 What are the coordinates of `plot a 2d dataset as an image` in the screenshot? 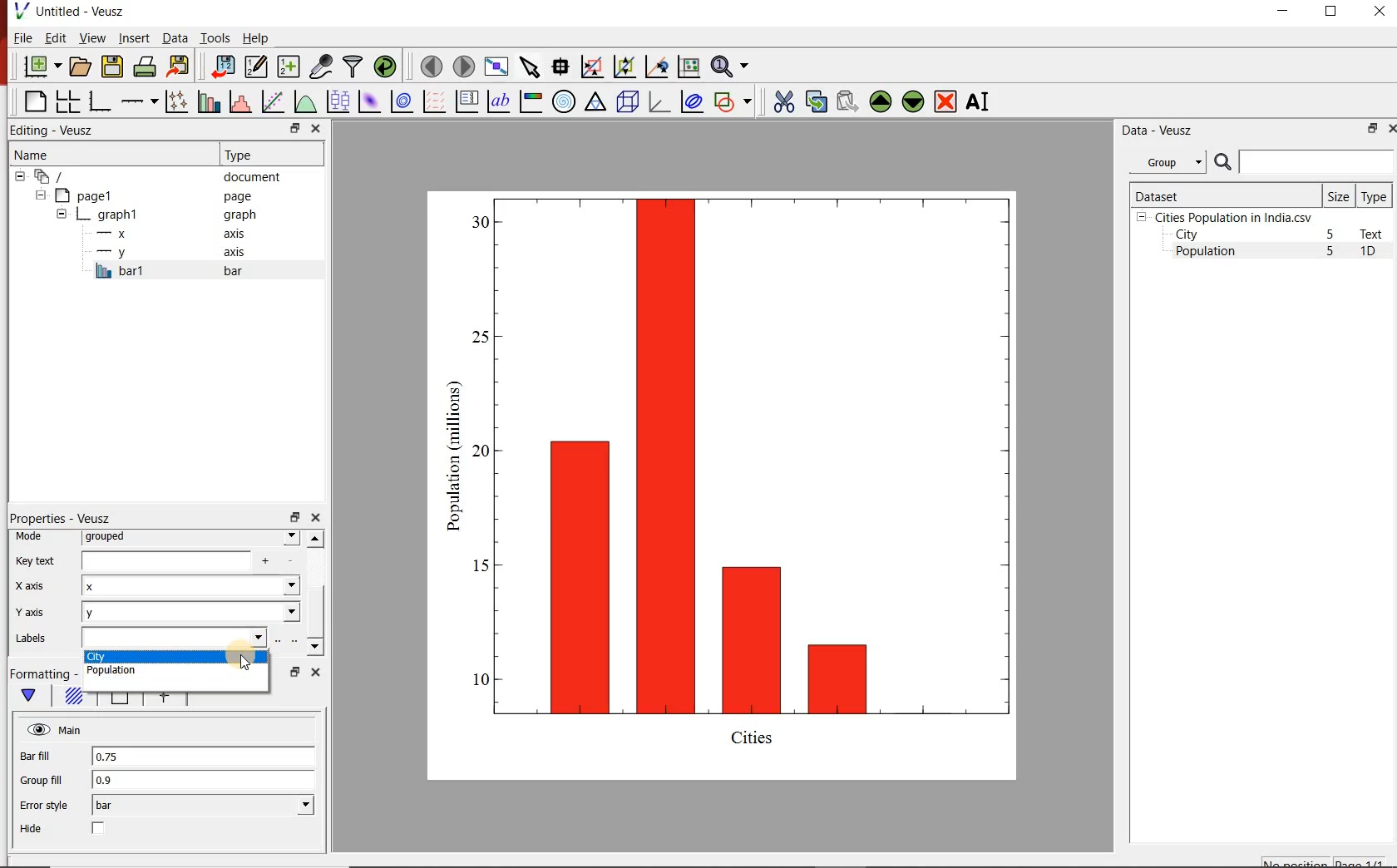 It's located at (368, 100).